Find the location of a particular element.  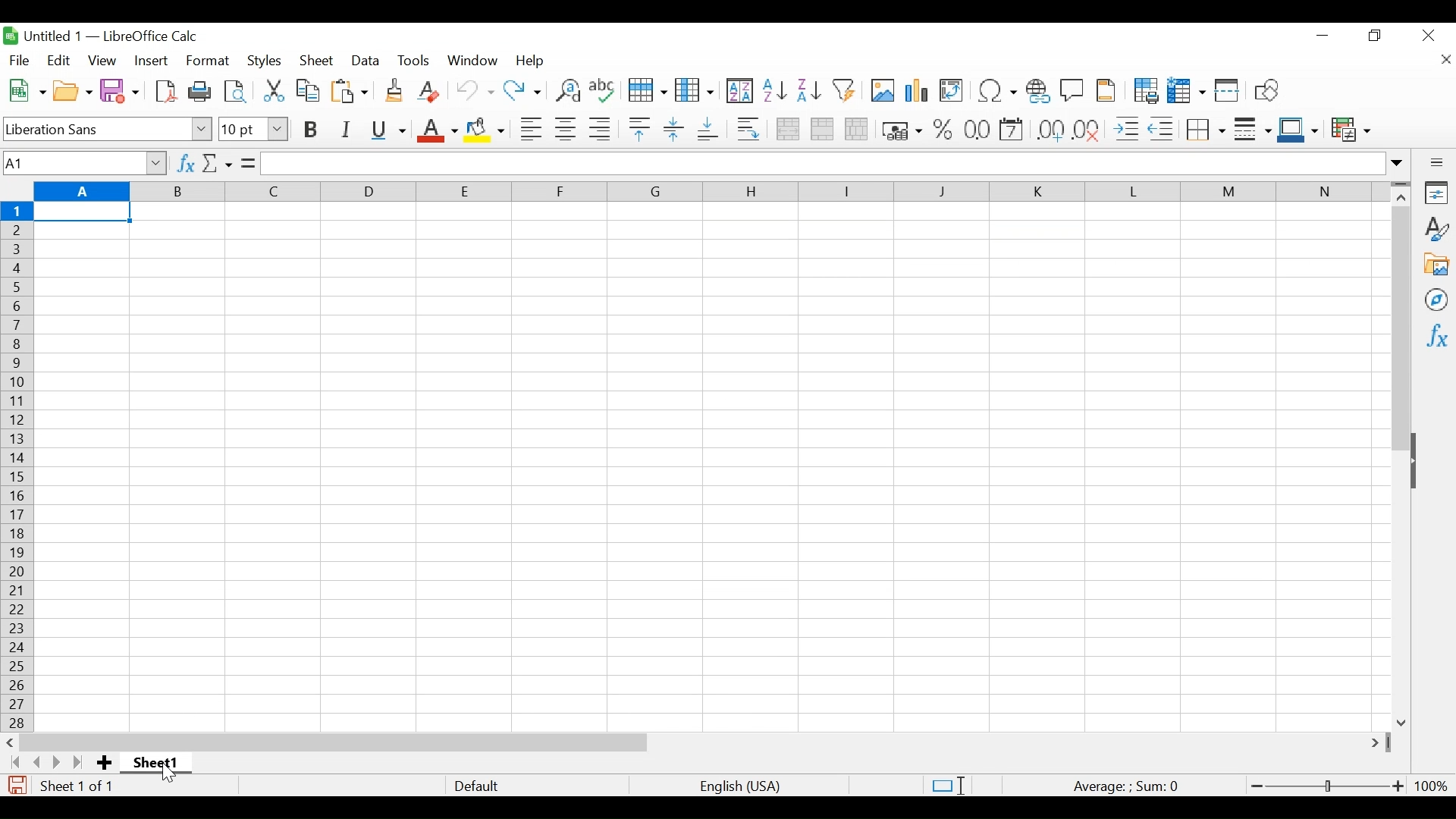

Paste is located at coordinates (349, 91).